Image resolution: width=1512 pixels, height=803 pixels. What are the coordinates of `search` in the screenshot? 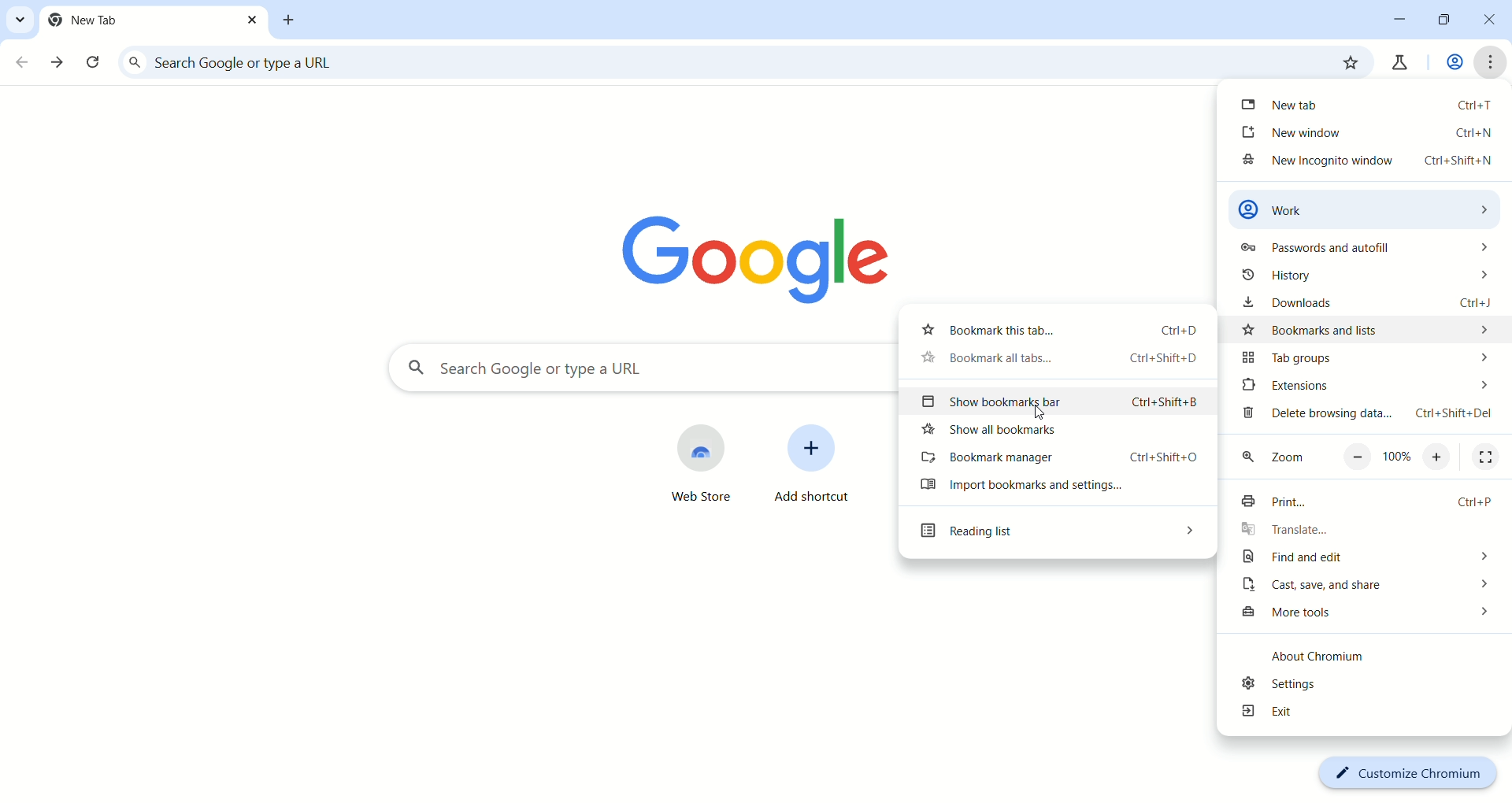 It's located at (637, 369).